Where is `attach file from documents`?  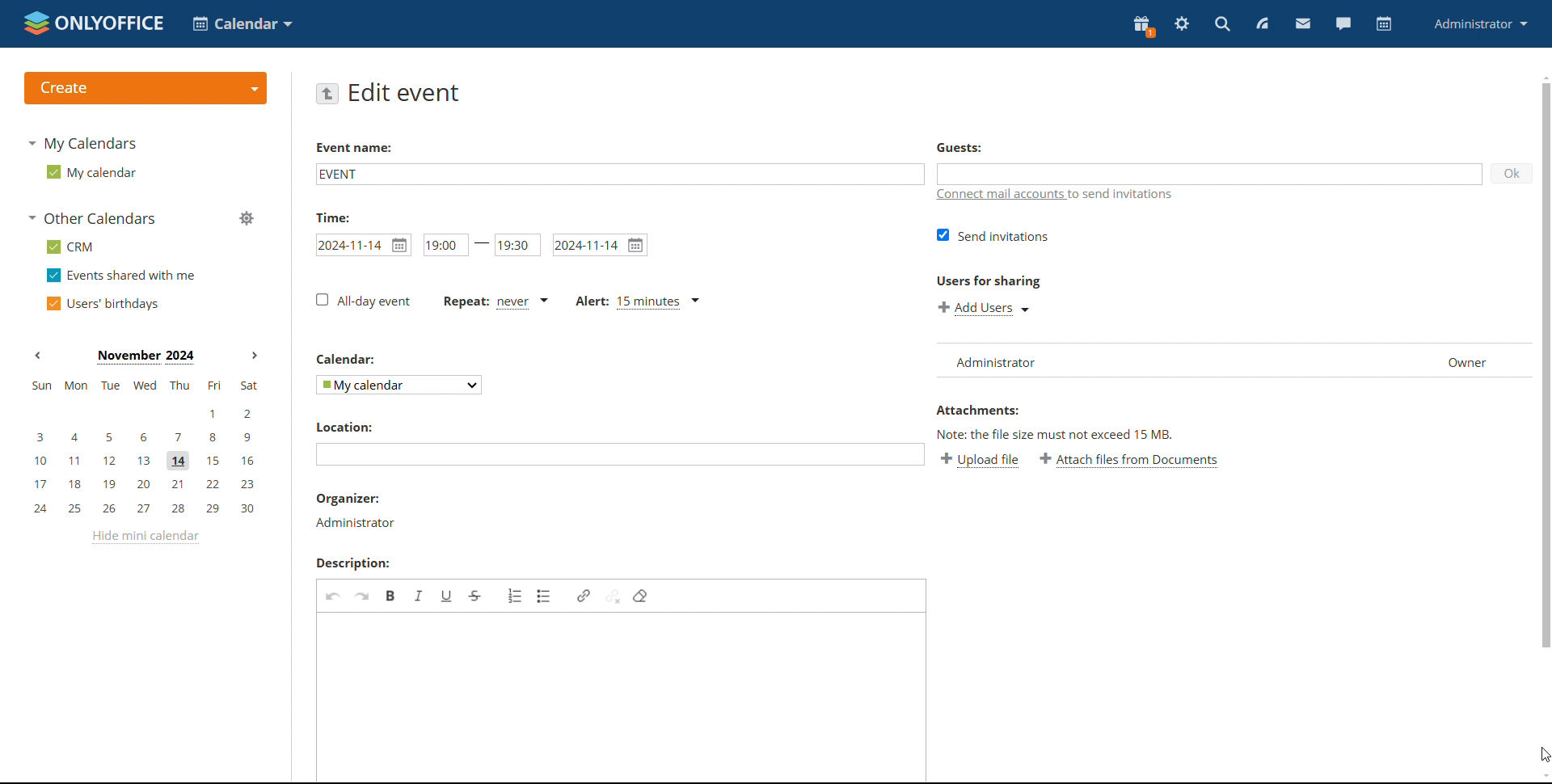 attach file from documents is located at coordinates (1129, 461).